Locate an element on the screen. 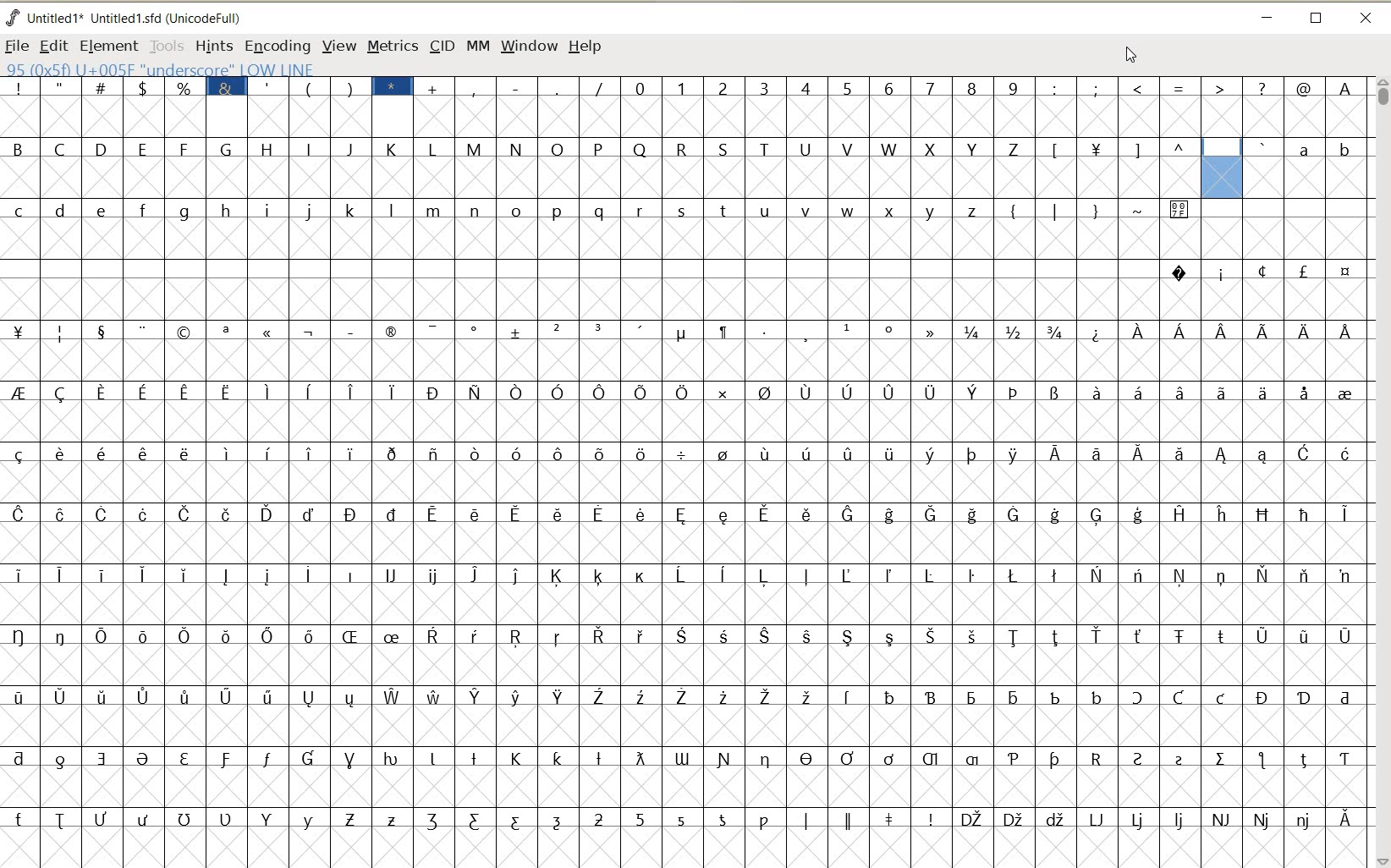  glyph selected is located at coordinates (1222, 168).